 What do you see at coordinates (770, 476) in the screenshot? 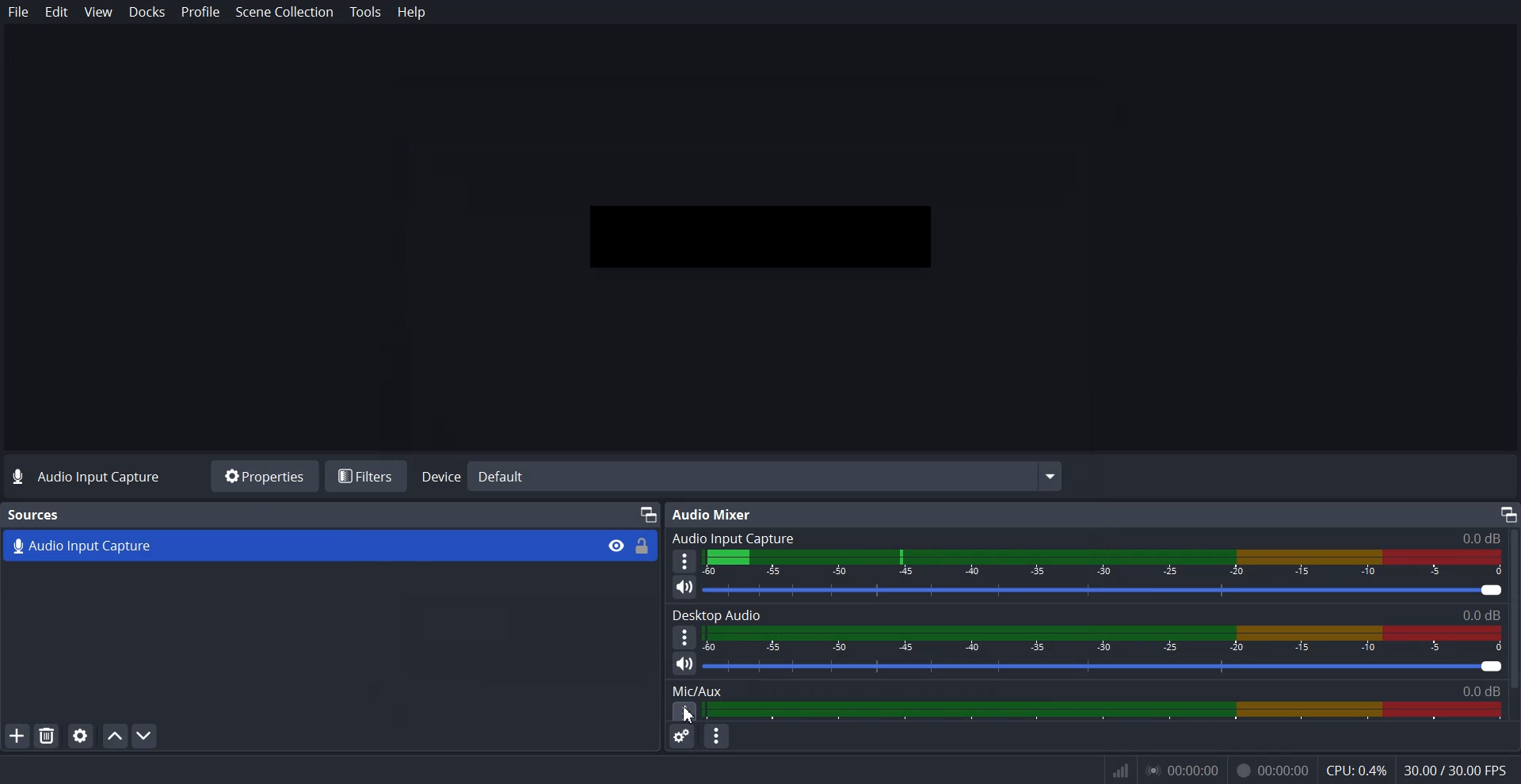
I see `Default` at bounding box center [770, 476].